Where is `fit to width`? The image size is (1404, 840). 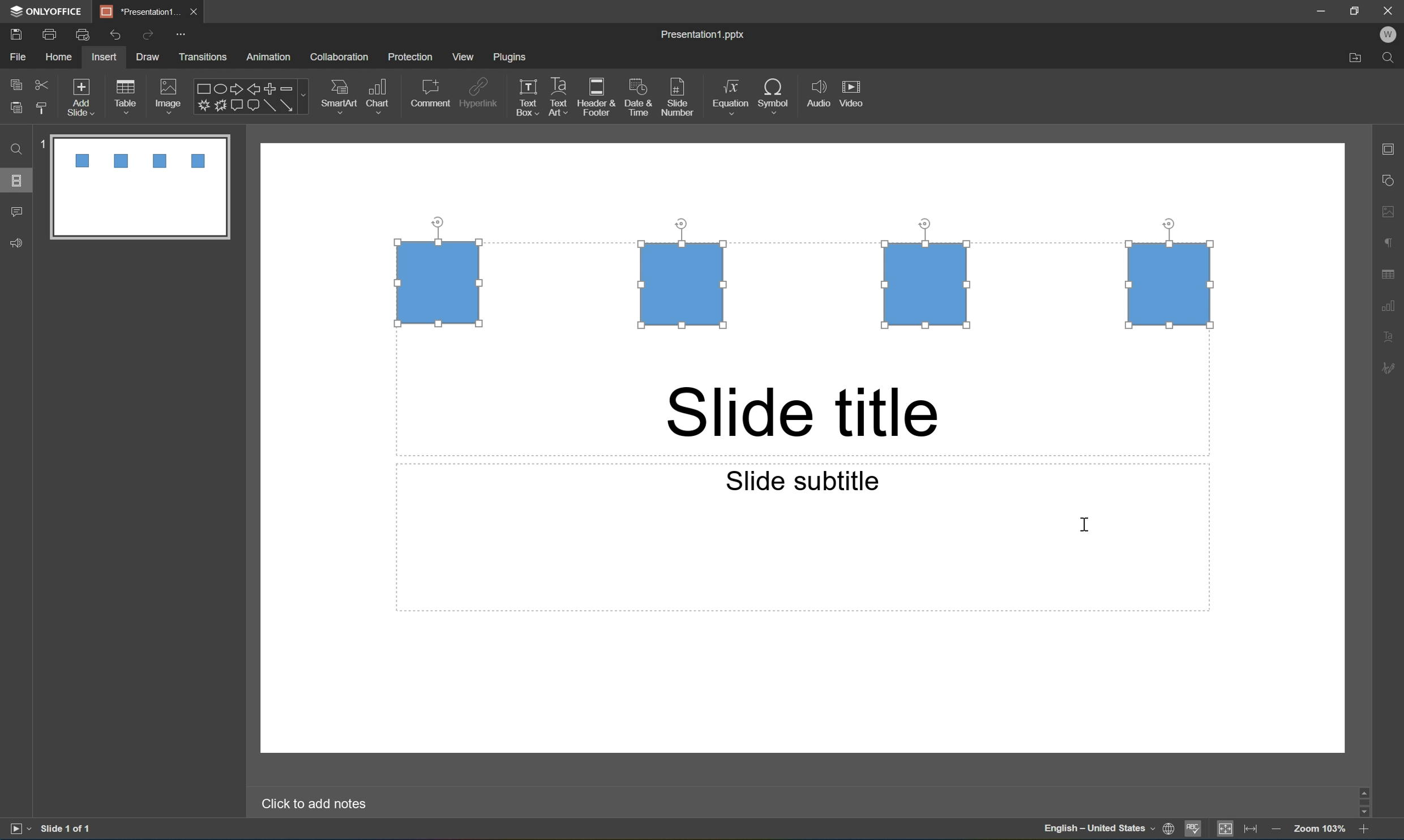 fit to width is located at coordinates (1251, 831).